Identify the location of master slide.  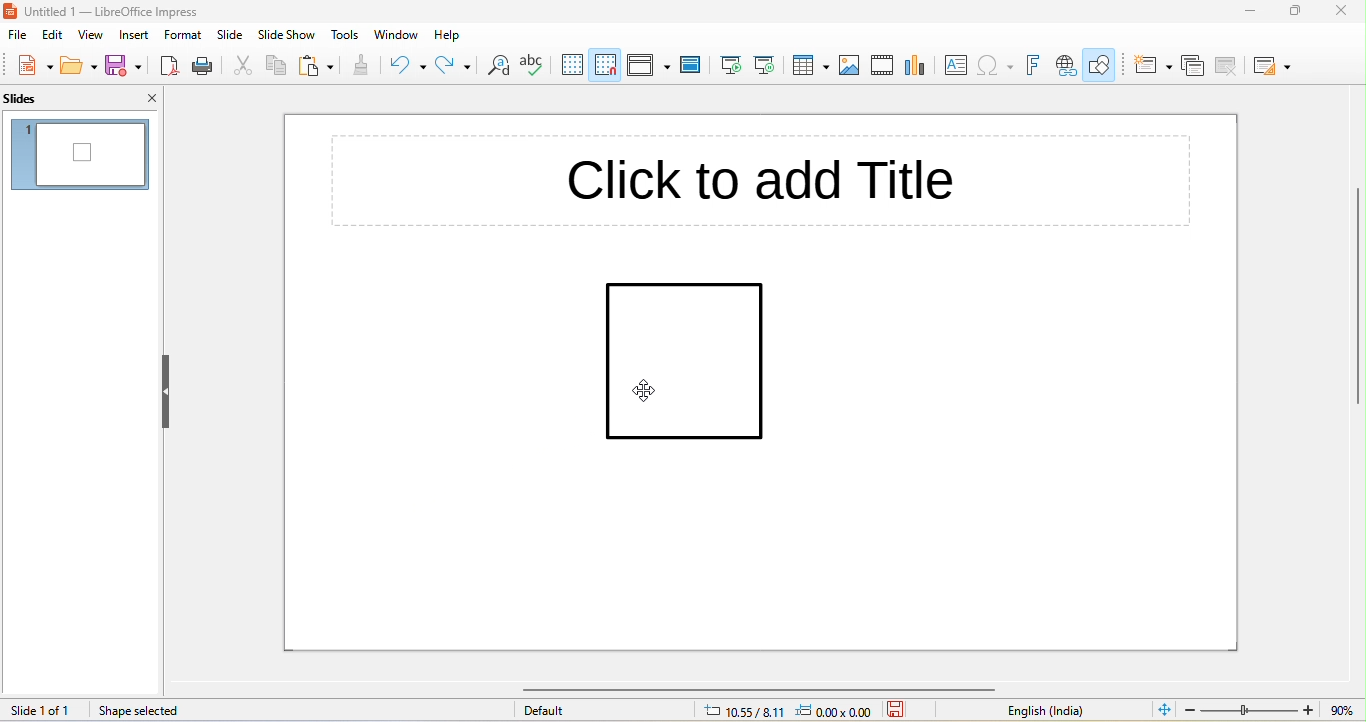
(692, 65).